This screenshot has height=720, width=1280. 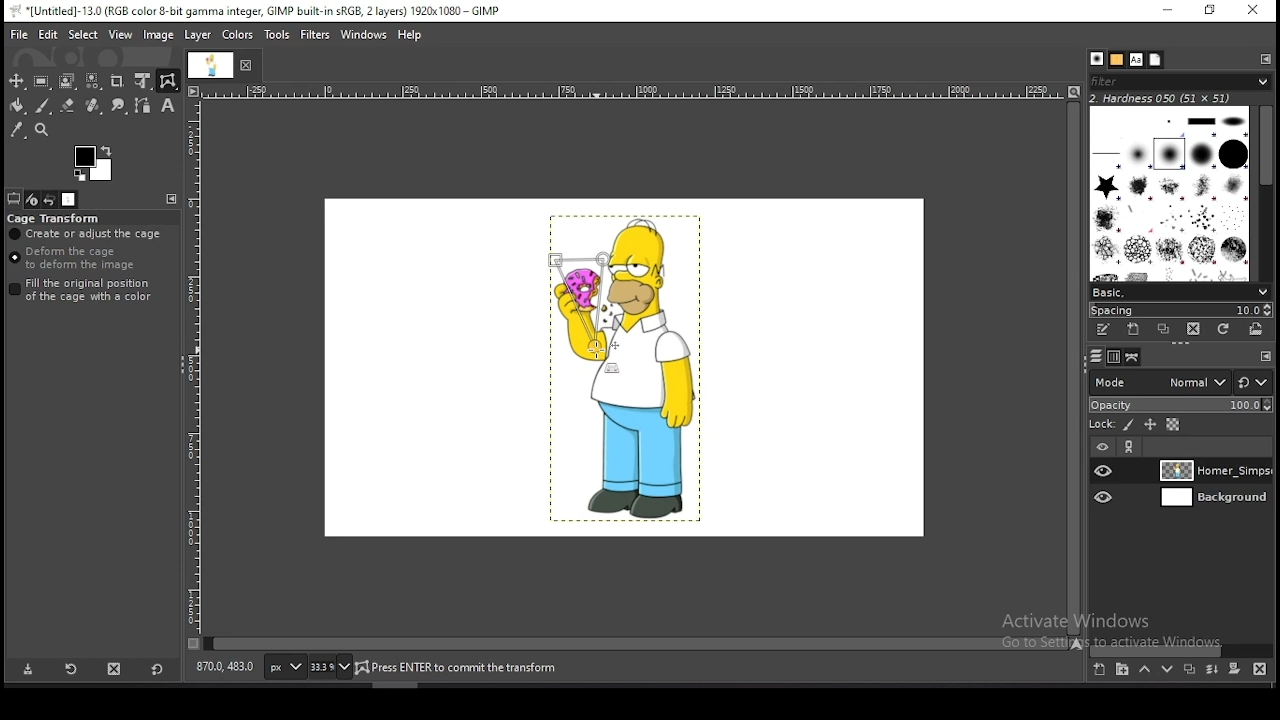 I want to click on configure this tab, so click(x=1264, y=355).